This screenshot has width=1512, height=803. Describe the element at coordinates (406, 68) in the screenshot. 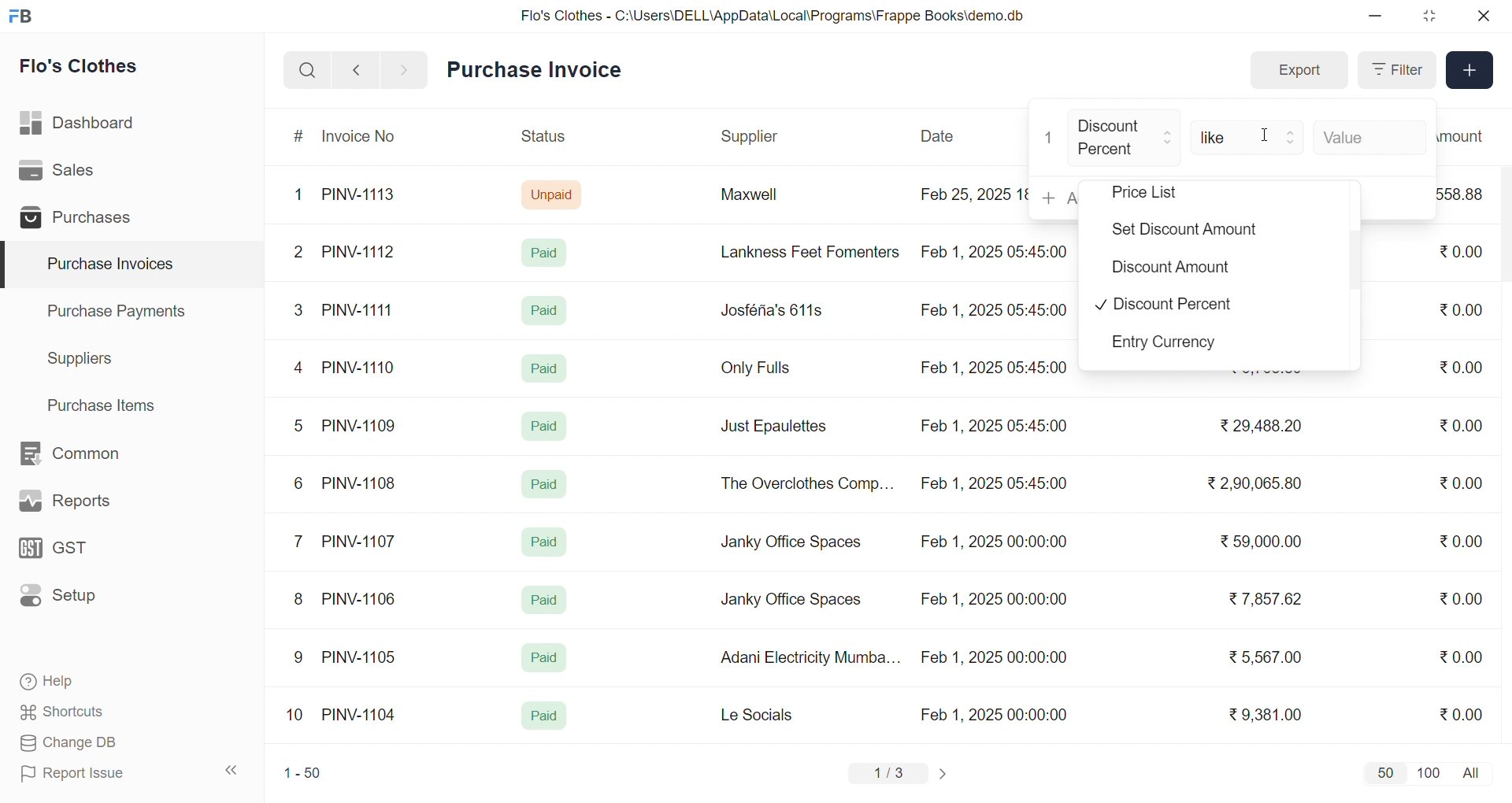

I see `navigate forward` at that location.